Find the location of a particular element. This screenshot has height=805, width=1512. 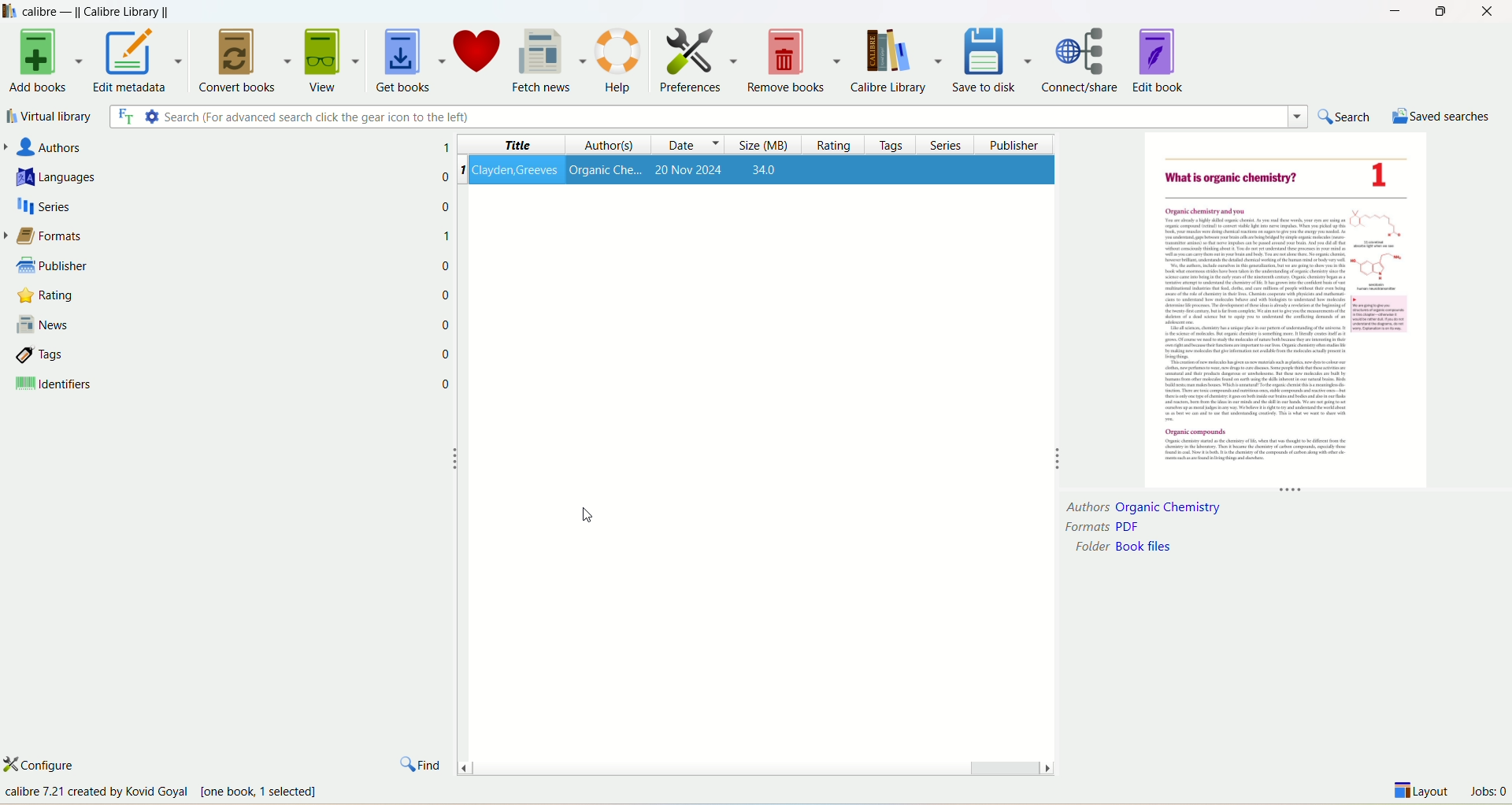

numbers is located at coordinates (447, 292).